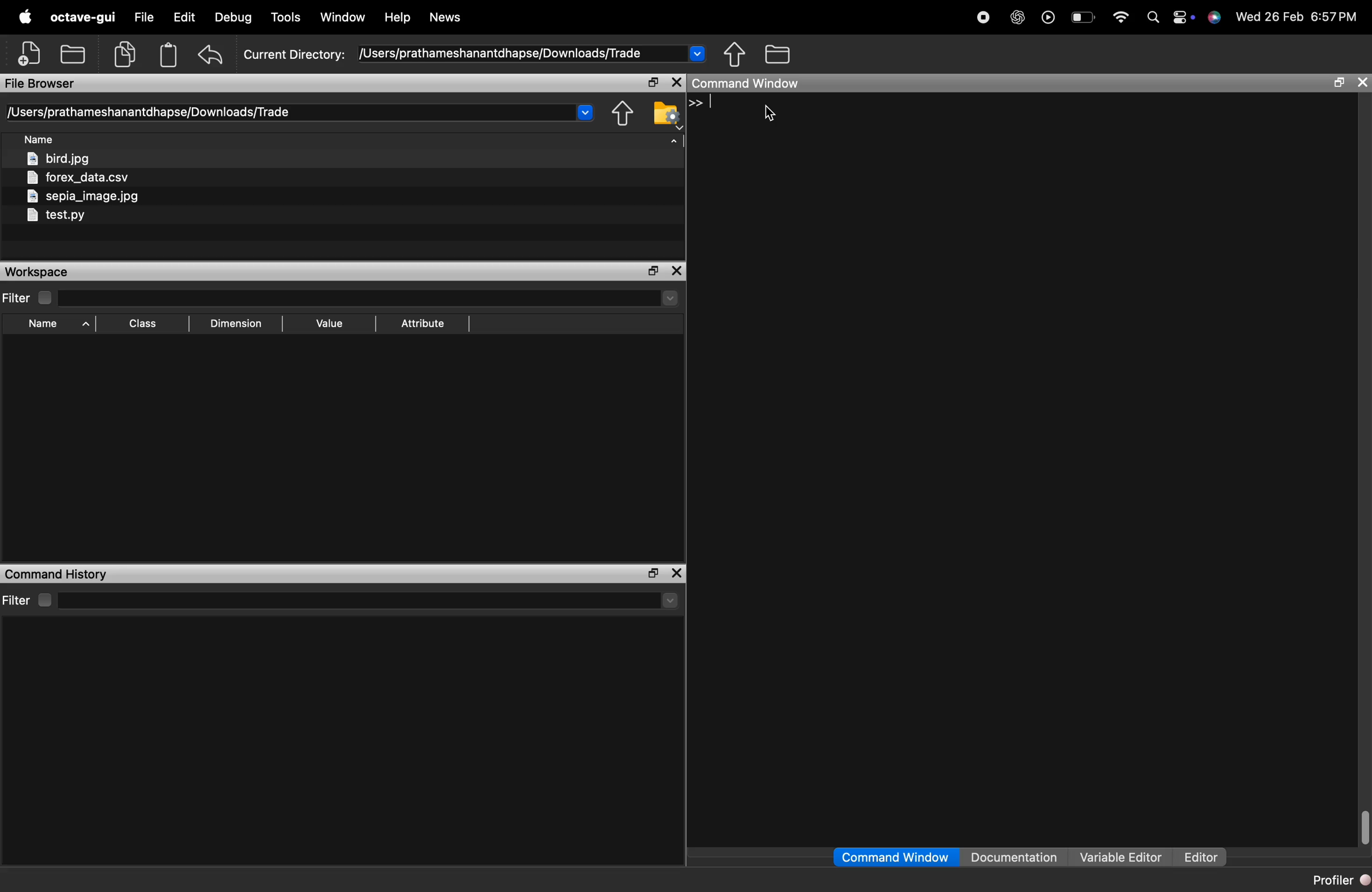 The width and height of the screenshot is (1372, 892). Describe the element at coordinates (343, 17) in the screenshot. I see `window` at that location.